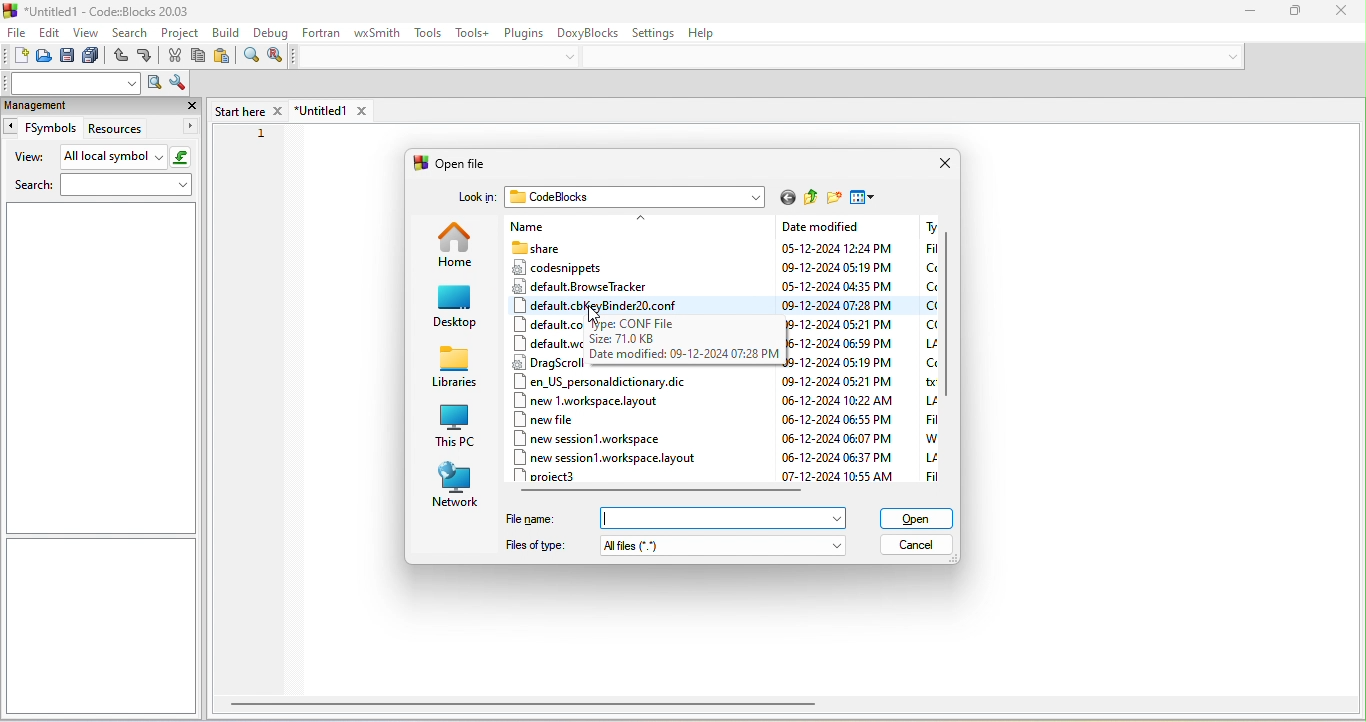  Describe the element at coordinates (330, 110) in the screenshot. I see `untitled1` at that location.